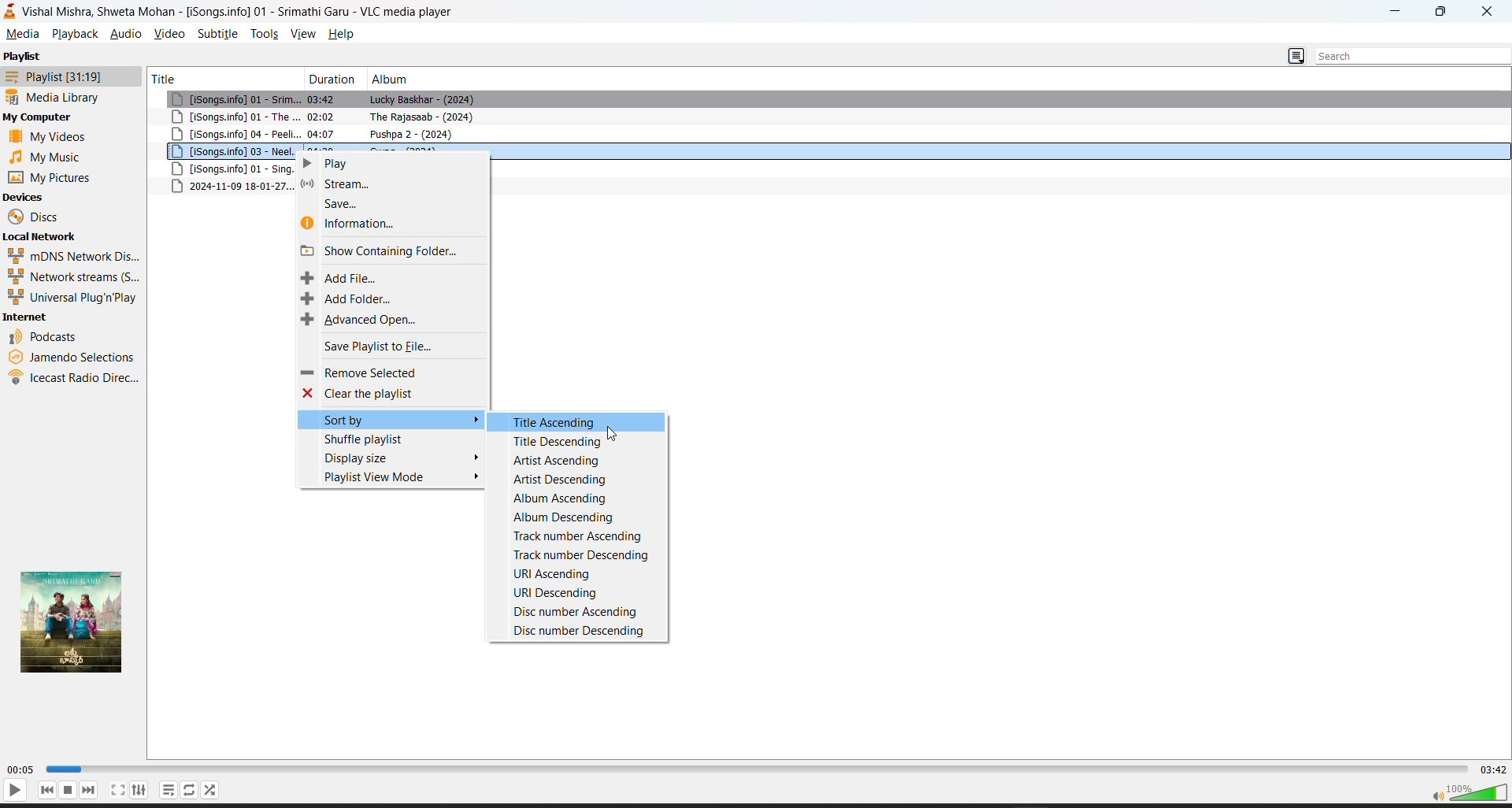  Describe the element at coordinates (576, 421) in the screenshot. I see `title ascending` at that location.